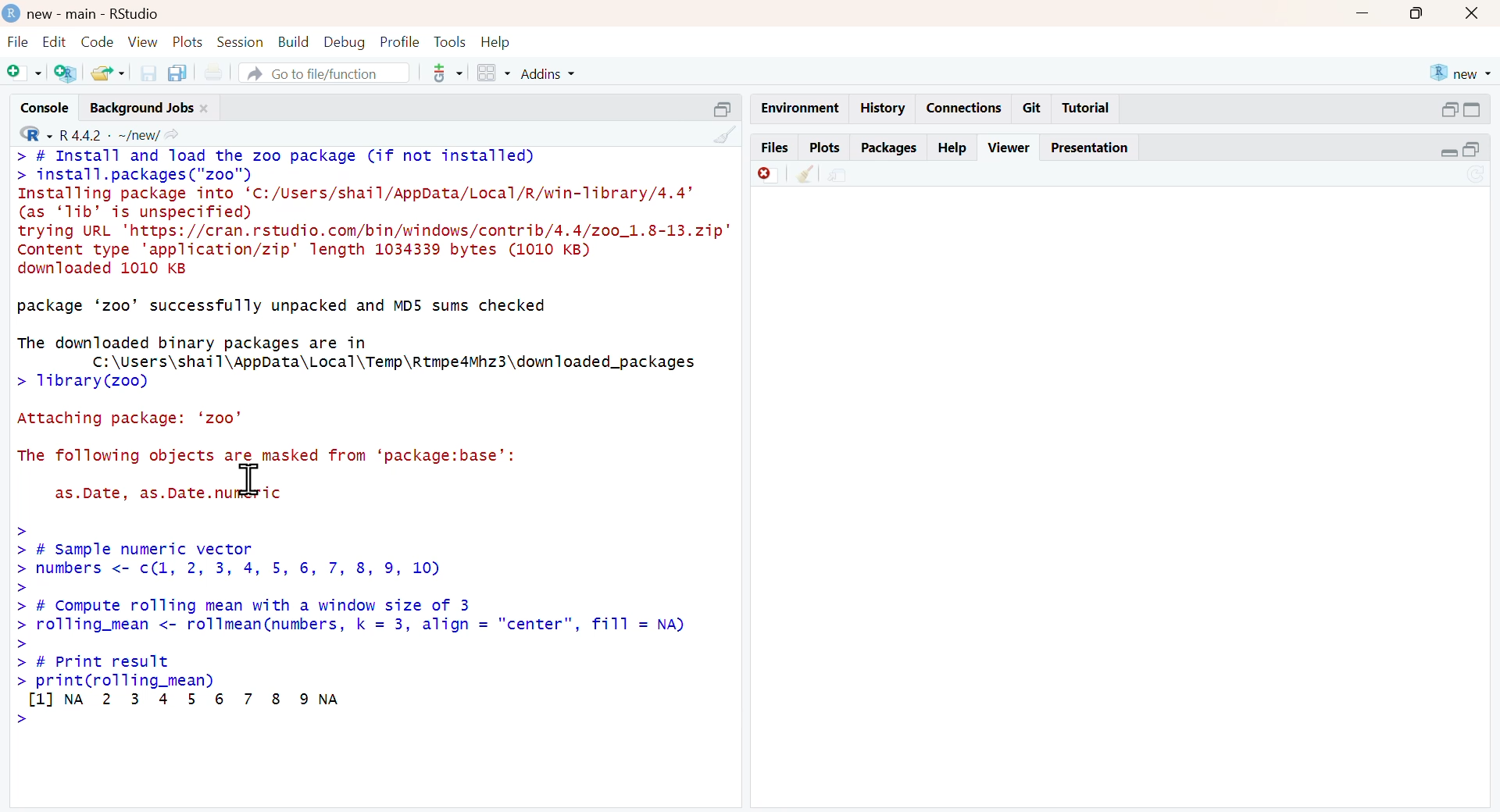  What do you see at coordinates (1471, 149) in the screenshot?
I see `open in separate window` at bounding box center [1471, 149].